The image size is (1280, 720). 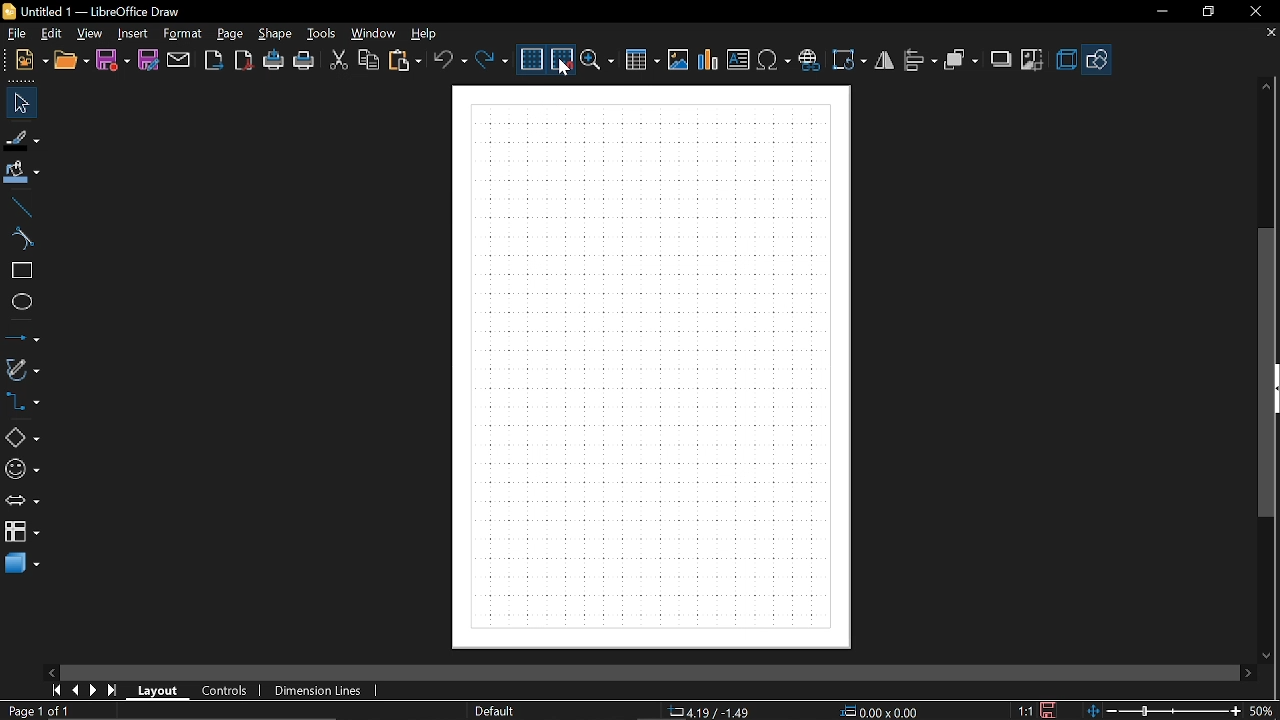 What do you see at coordinates (86, 34) in the screenshot?
I see `View` at bounding box center [86, 34].